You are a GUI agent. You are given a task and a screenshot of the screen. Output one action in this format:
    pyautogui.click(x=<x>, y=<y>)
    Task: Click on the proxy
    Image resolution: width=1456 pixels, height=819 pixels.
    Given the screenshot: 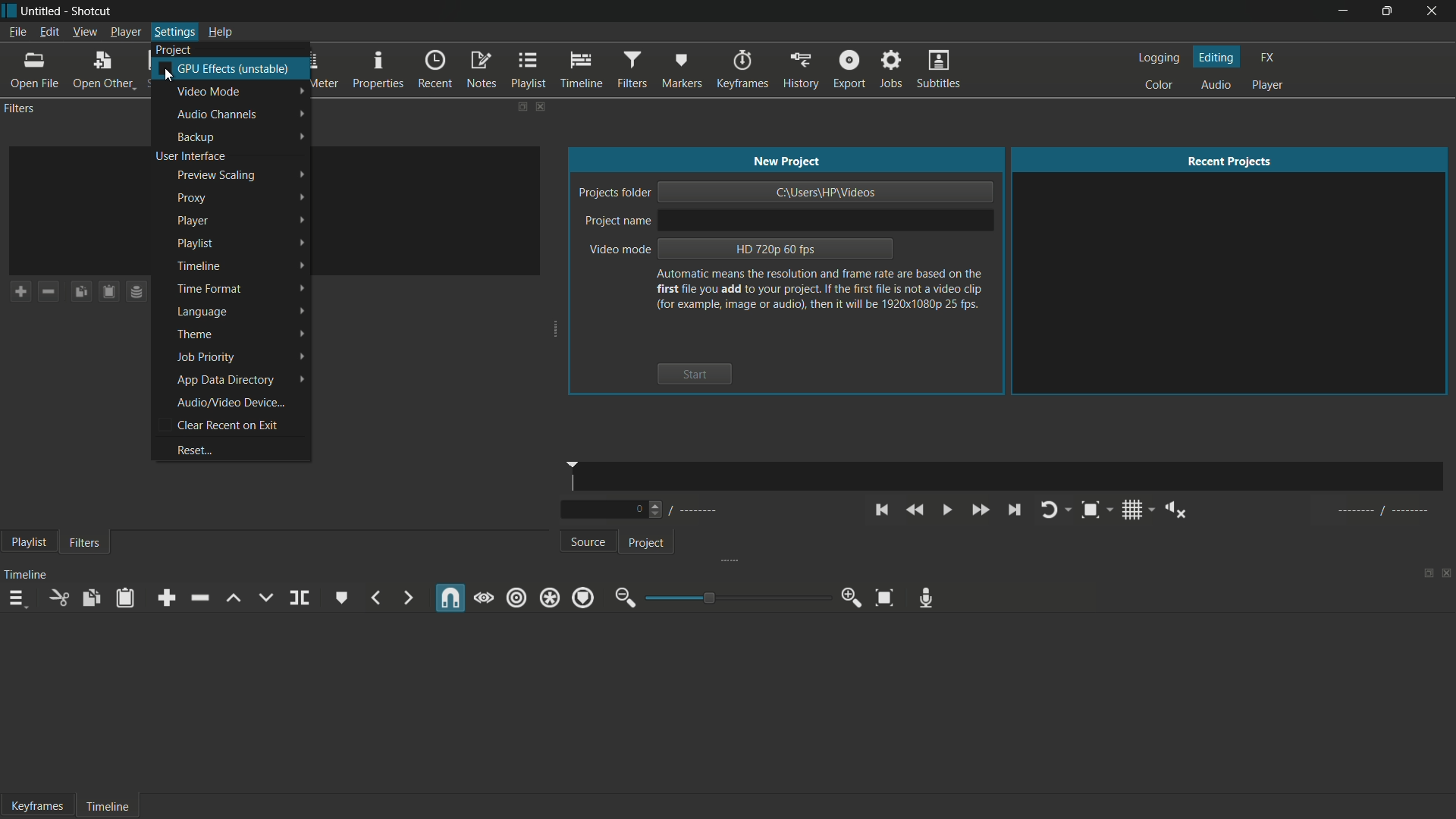 What is the action you would take?
    pyautogui.click(x=190, y=198)
    